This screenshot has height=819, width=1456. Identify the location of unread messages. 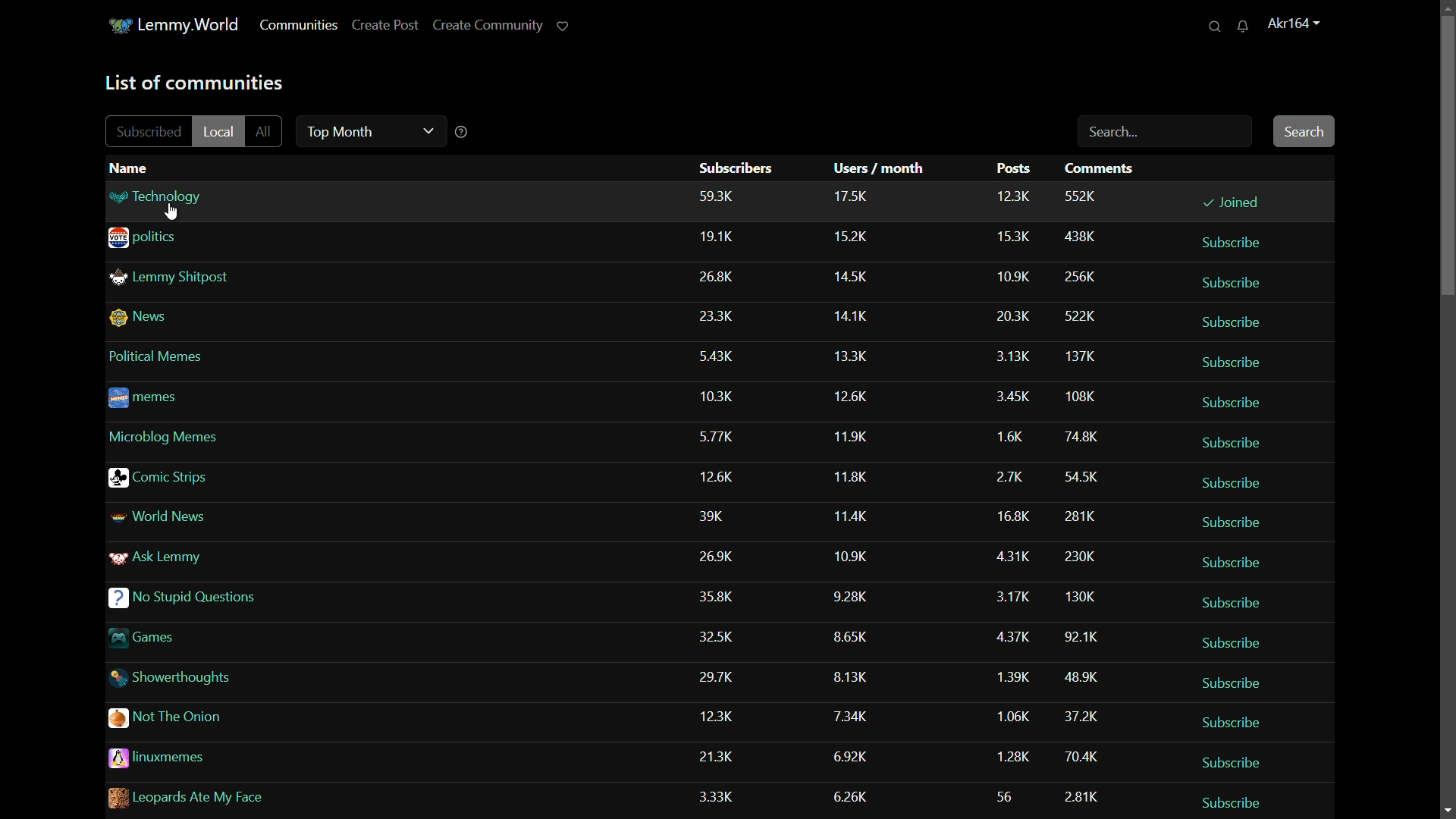
(1244, 27).